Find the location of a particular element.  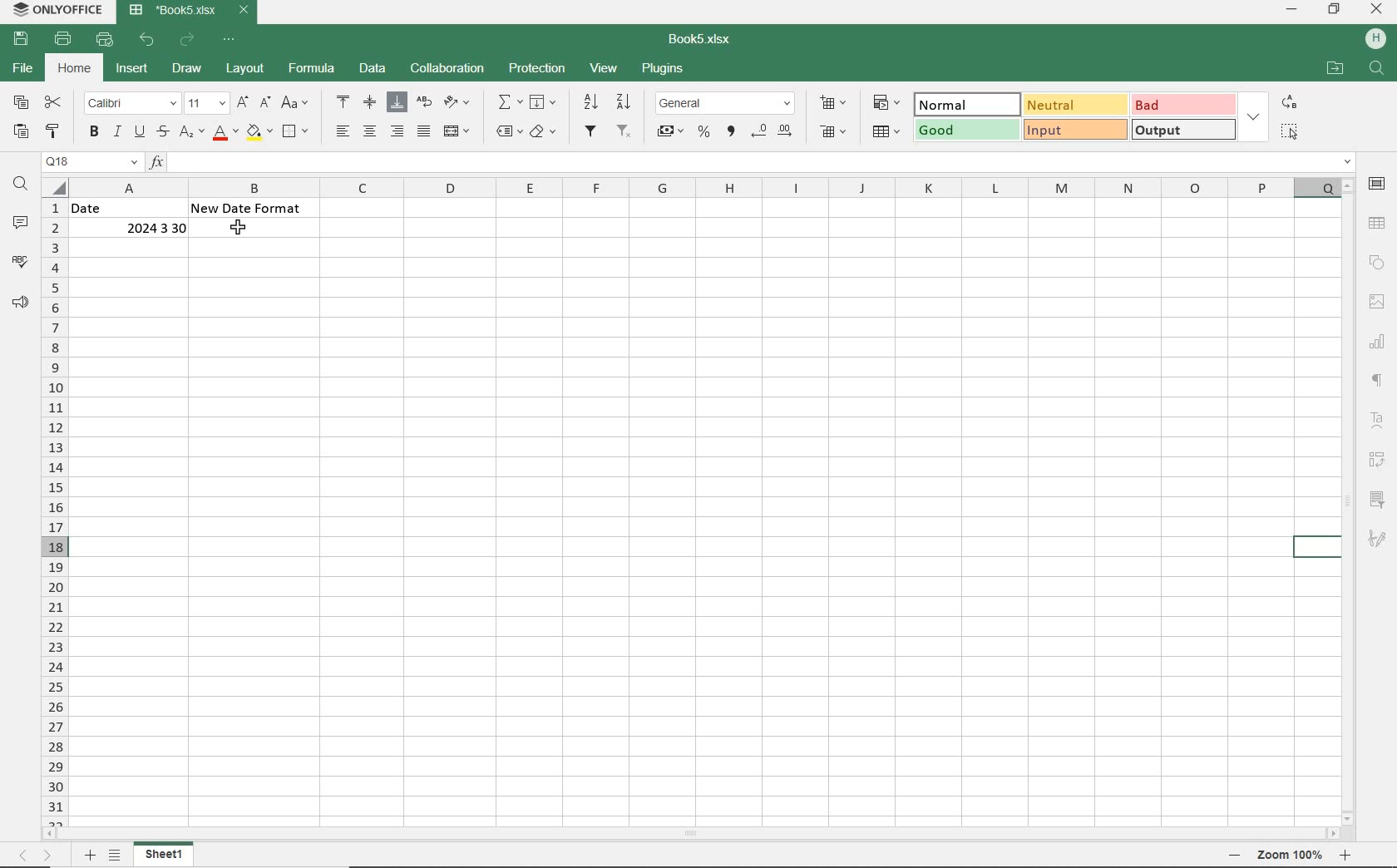

FONT is located at coordinates (131, 104).